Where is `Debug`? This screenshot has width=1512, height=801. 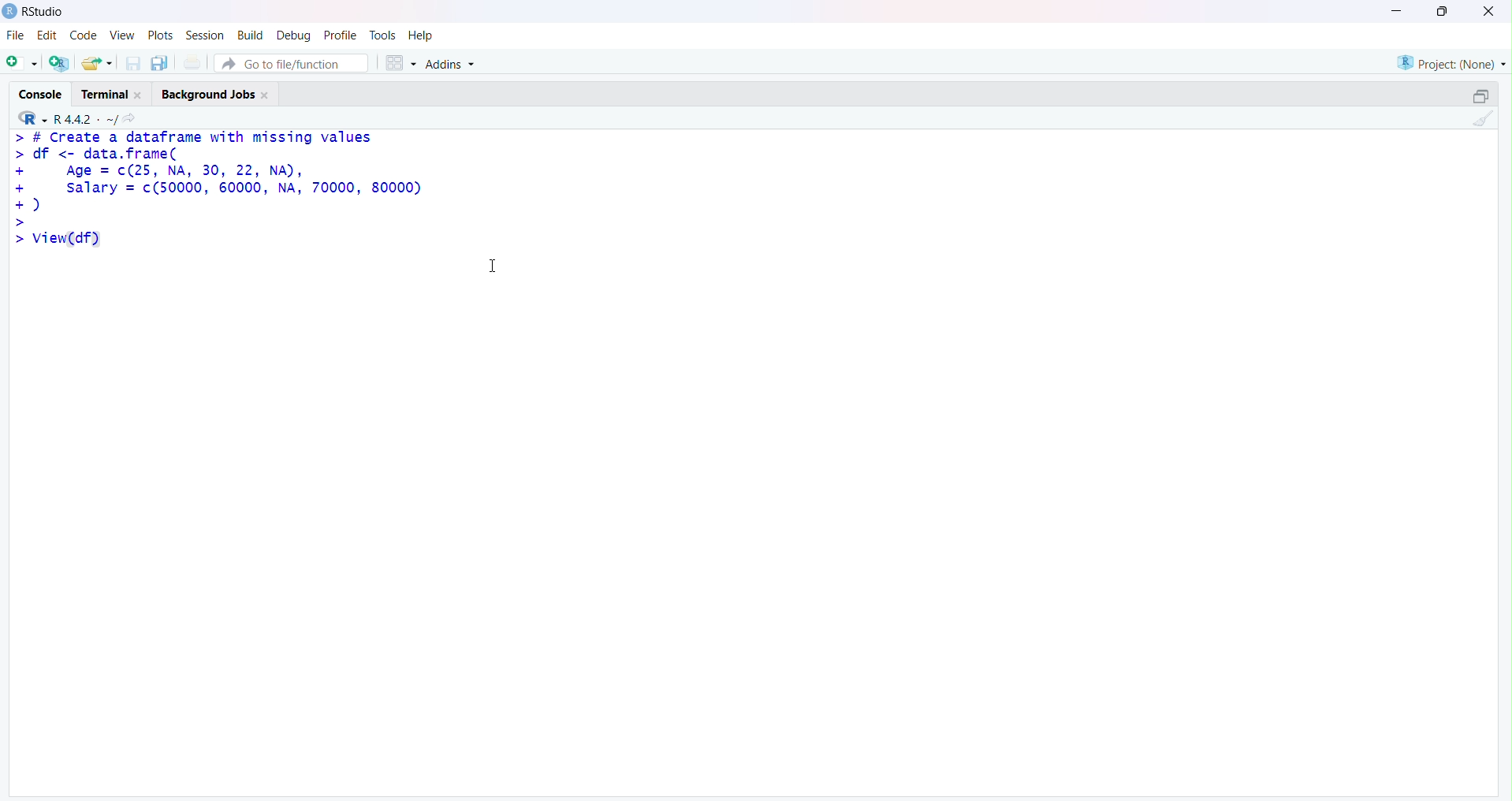 Debug is located at coordinates (296, 35).